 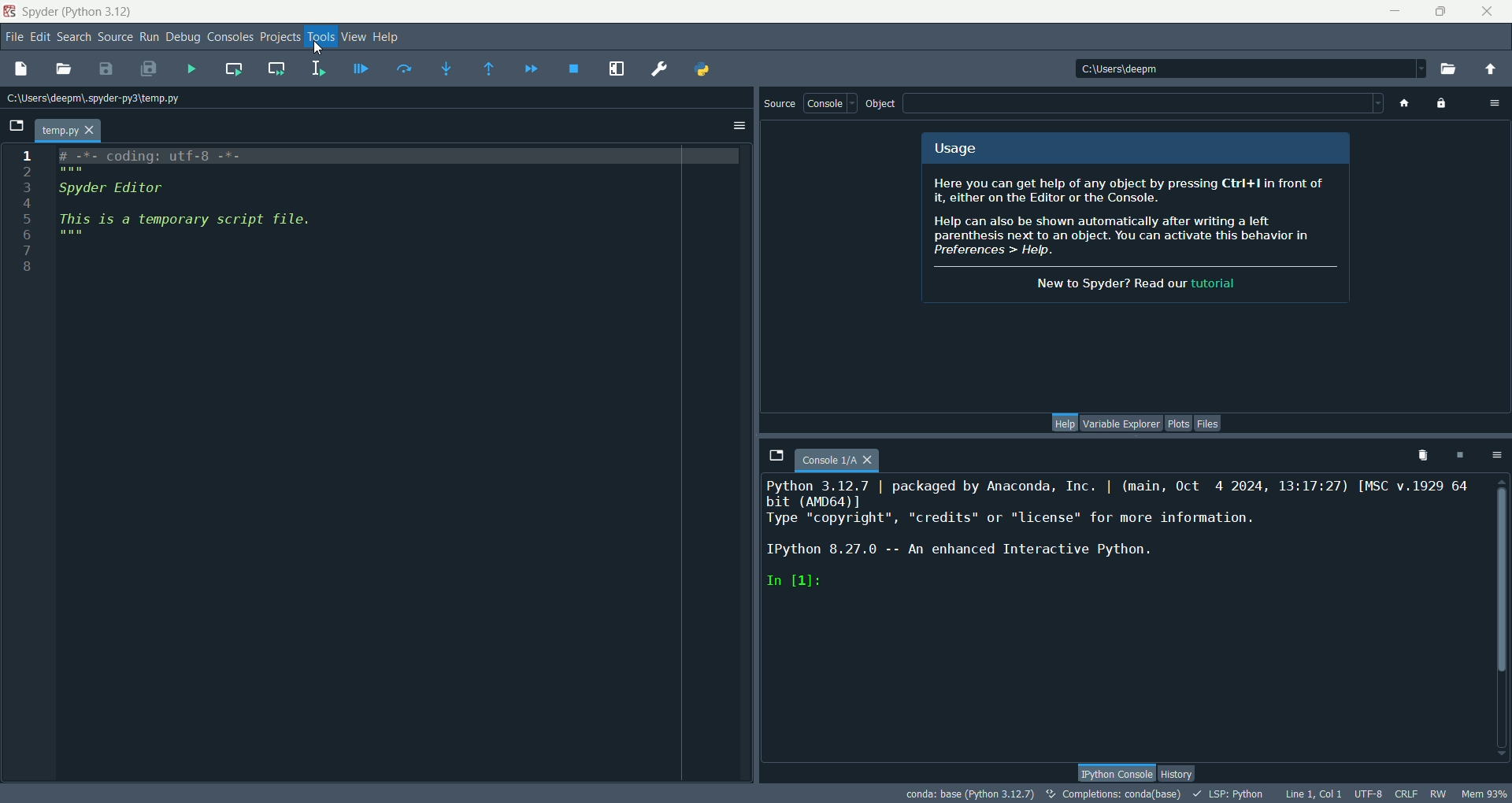 I want to click on run selection, so click(x=320, y=70).